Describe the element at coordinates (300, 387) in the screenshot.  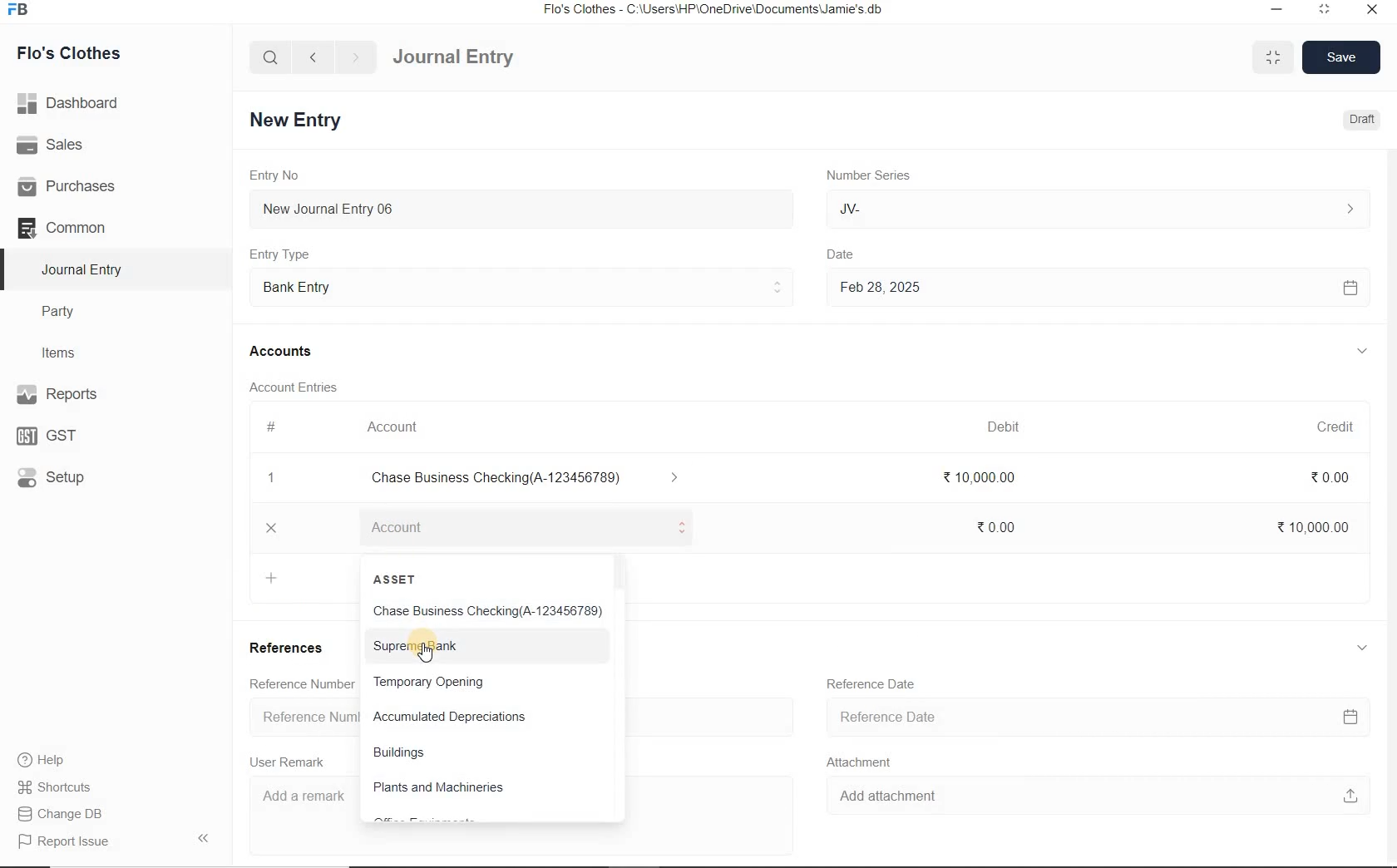
I see `Account Entries` at that location.